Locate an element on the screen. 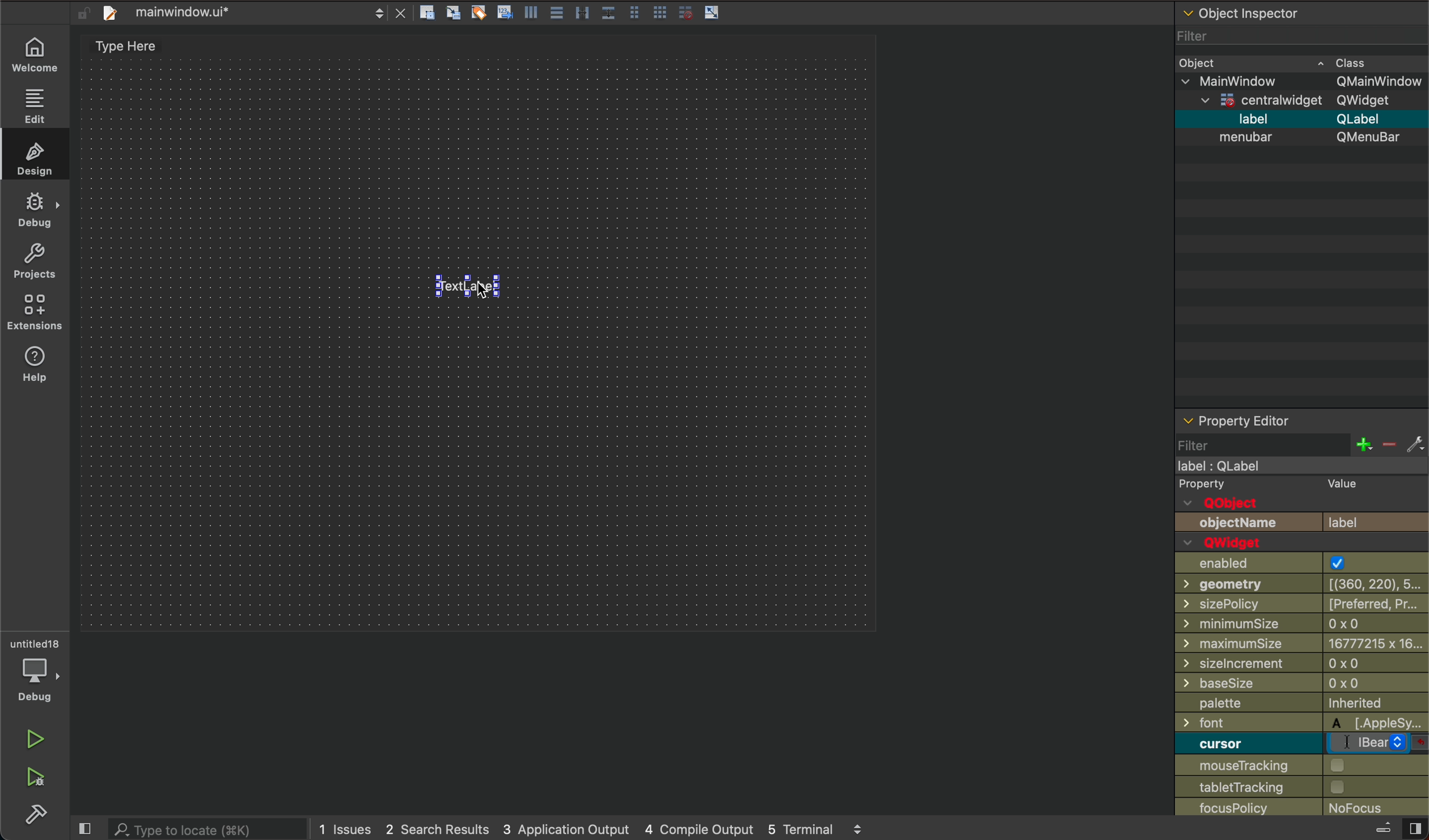 This screenshot has height=840, width=1429. objectName  is located at coordinates (1244, 523).